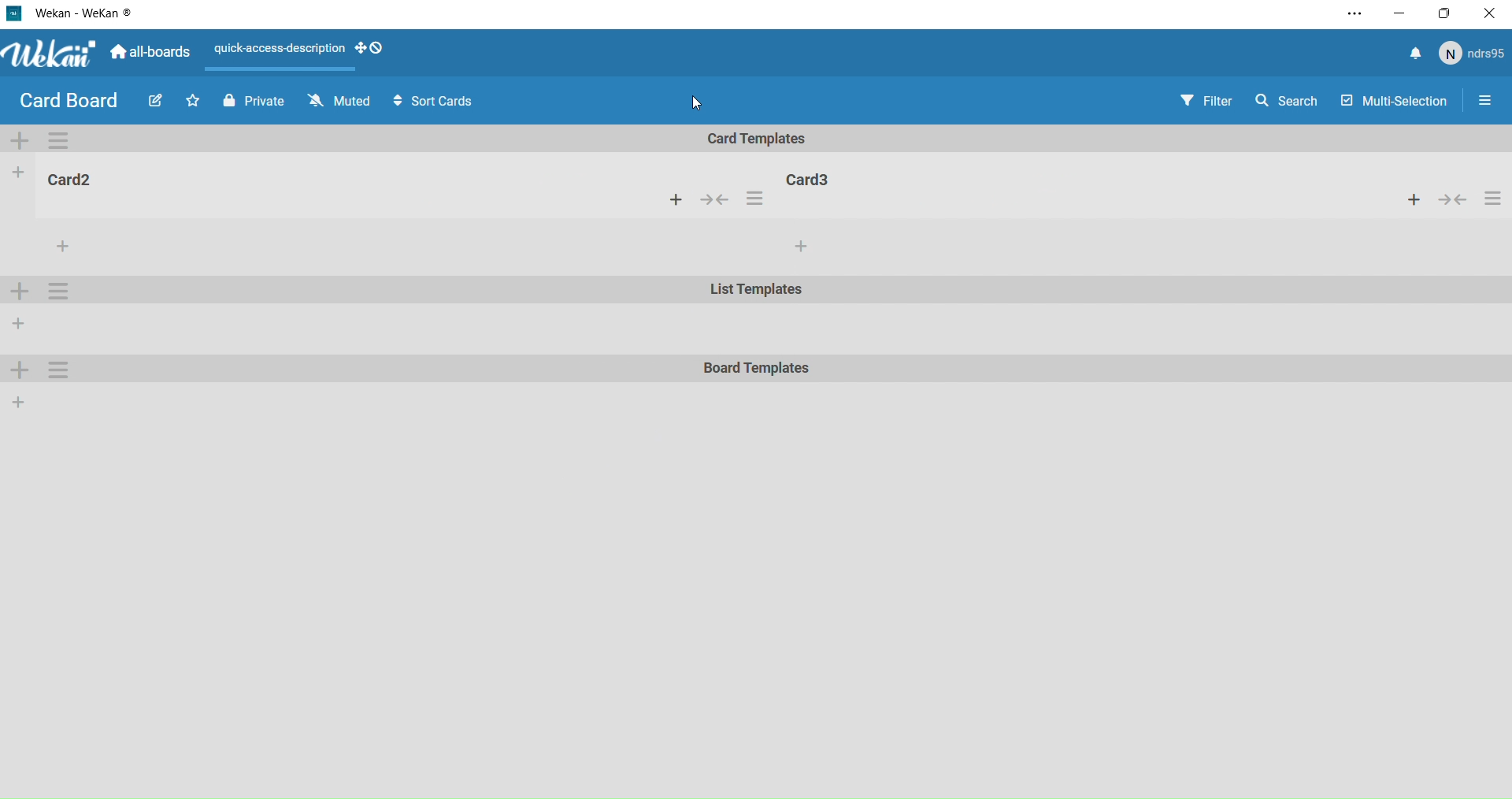 The image size is (1512, 799). Describe the element at coordinates (828, 177) in the screenshot. I see `Card` at that location.